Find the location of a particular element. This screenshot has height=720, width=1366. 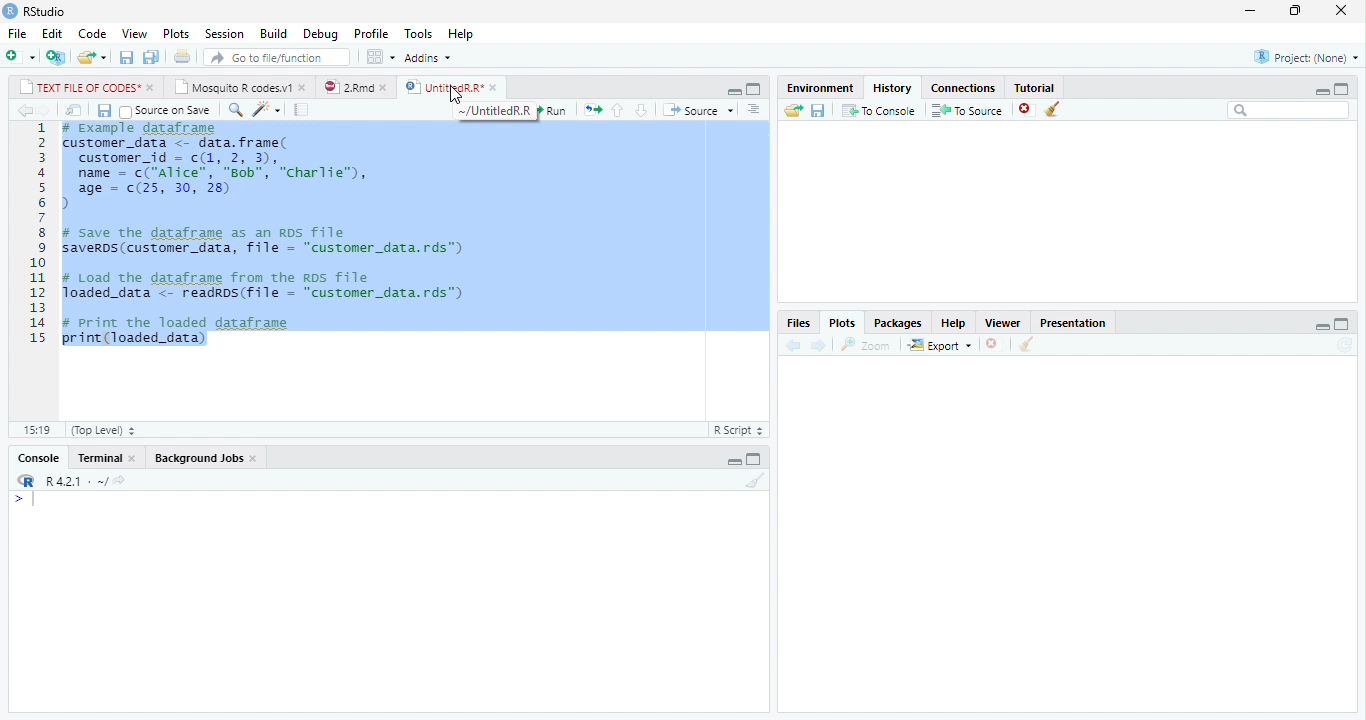

R Script is located at coordinates (740, 429).